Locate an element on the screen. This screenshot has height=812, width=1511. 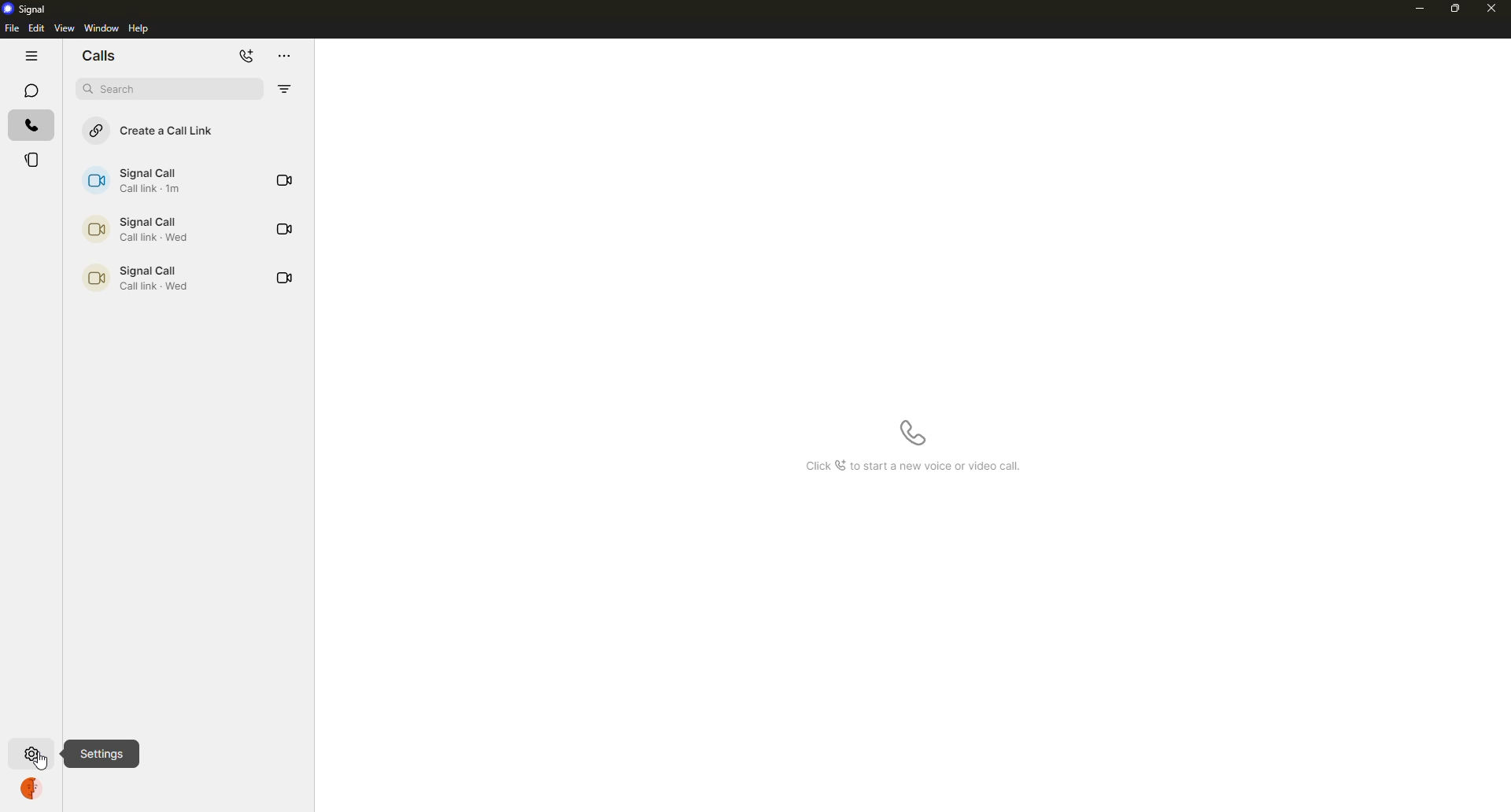
cursor is located at coordinates (43, 758).